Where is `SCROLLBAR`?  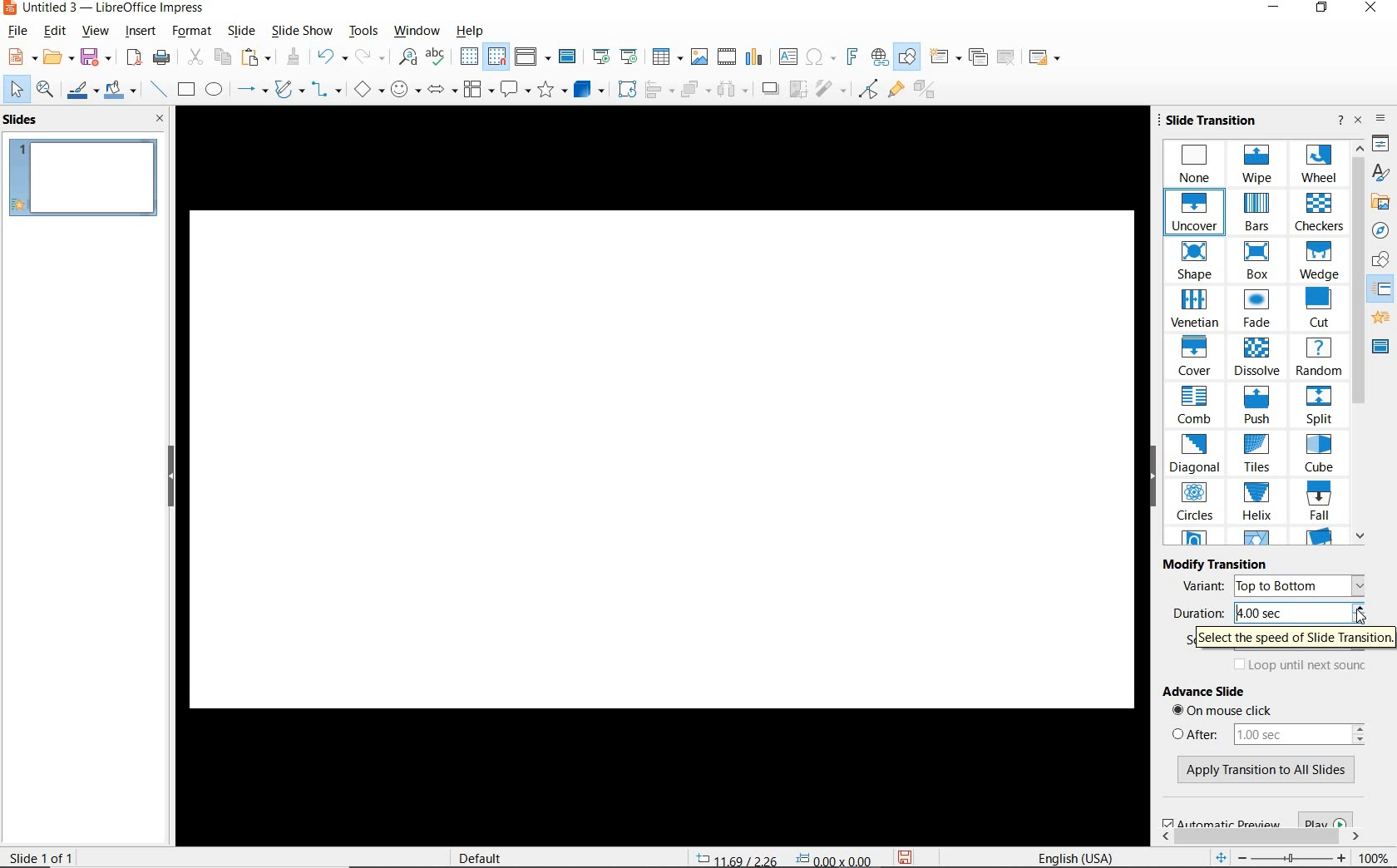 SCROLLBAR is located at coordinates (651, 839).